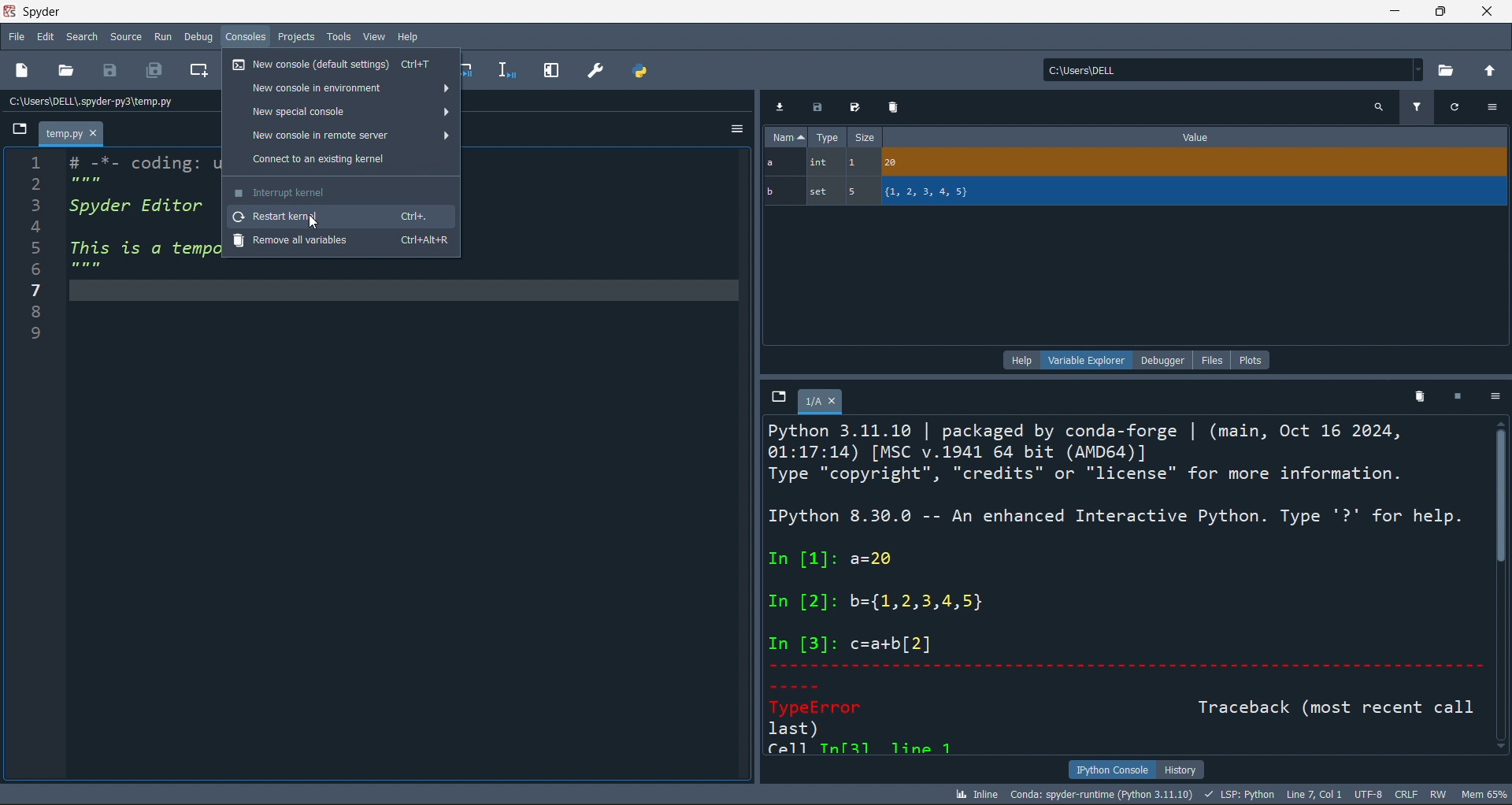 This screenshot has height=805, width=1512. Describe the element at coordinates (202, 38) in the screenshot. I see `Debug` at that location.